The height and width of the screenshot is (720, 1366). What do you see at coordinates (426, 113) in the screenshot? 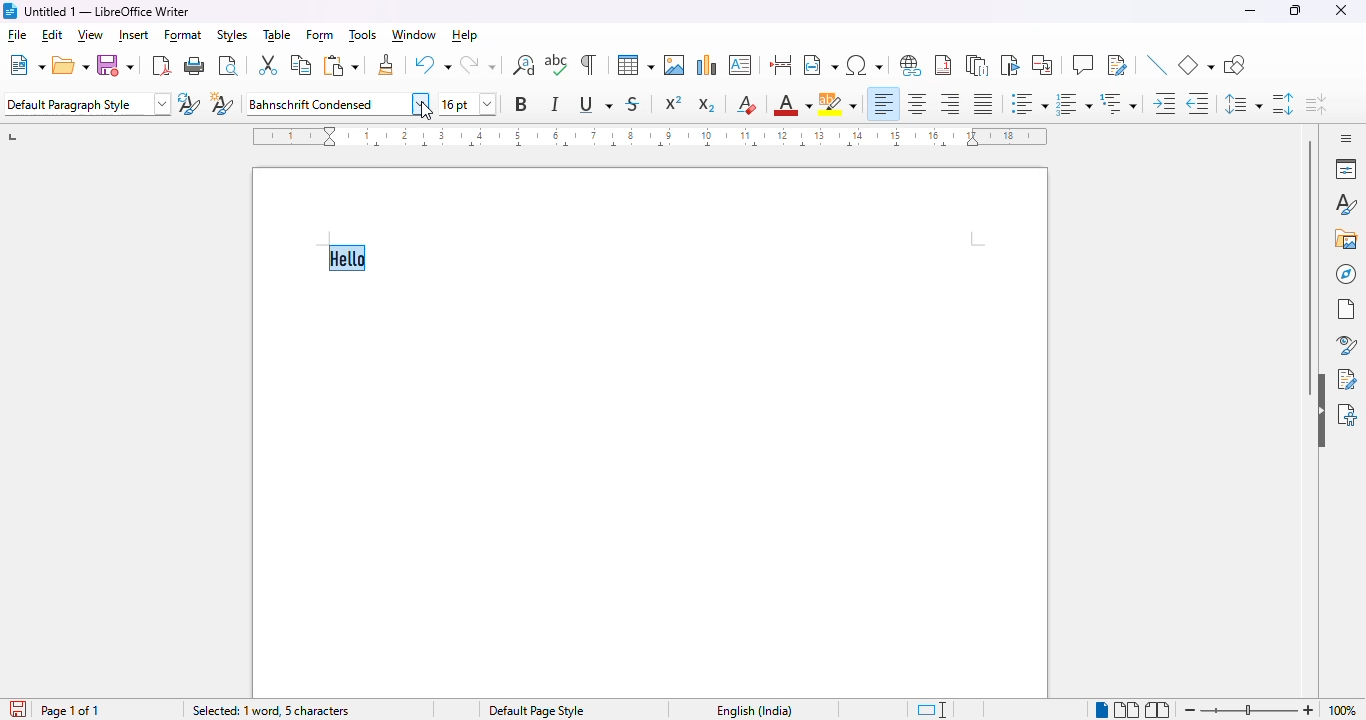
I see `cursor` at bounding box center [426, 113].